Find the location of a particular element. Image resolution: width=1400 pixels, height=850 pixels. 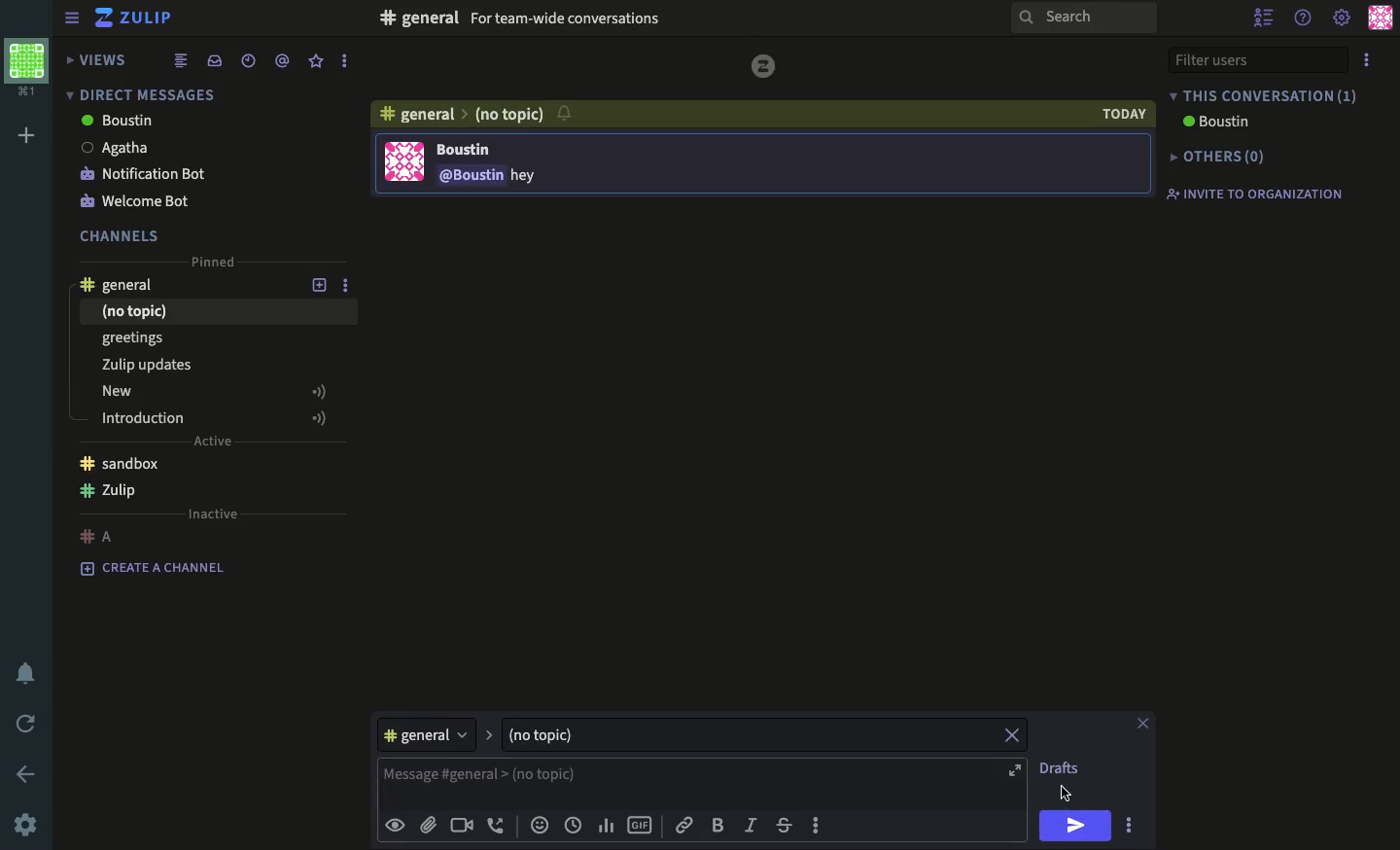

Introduction is located at coordinates (219, 415).